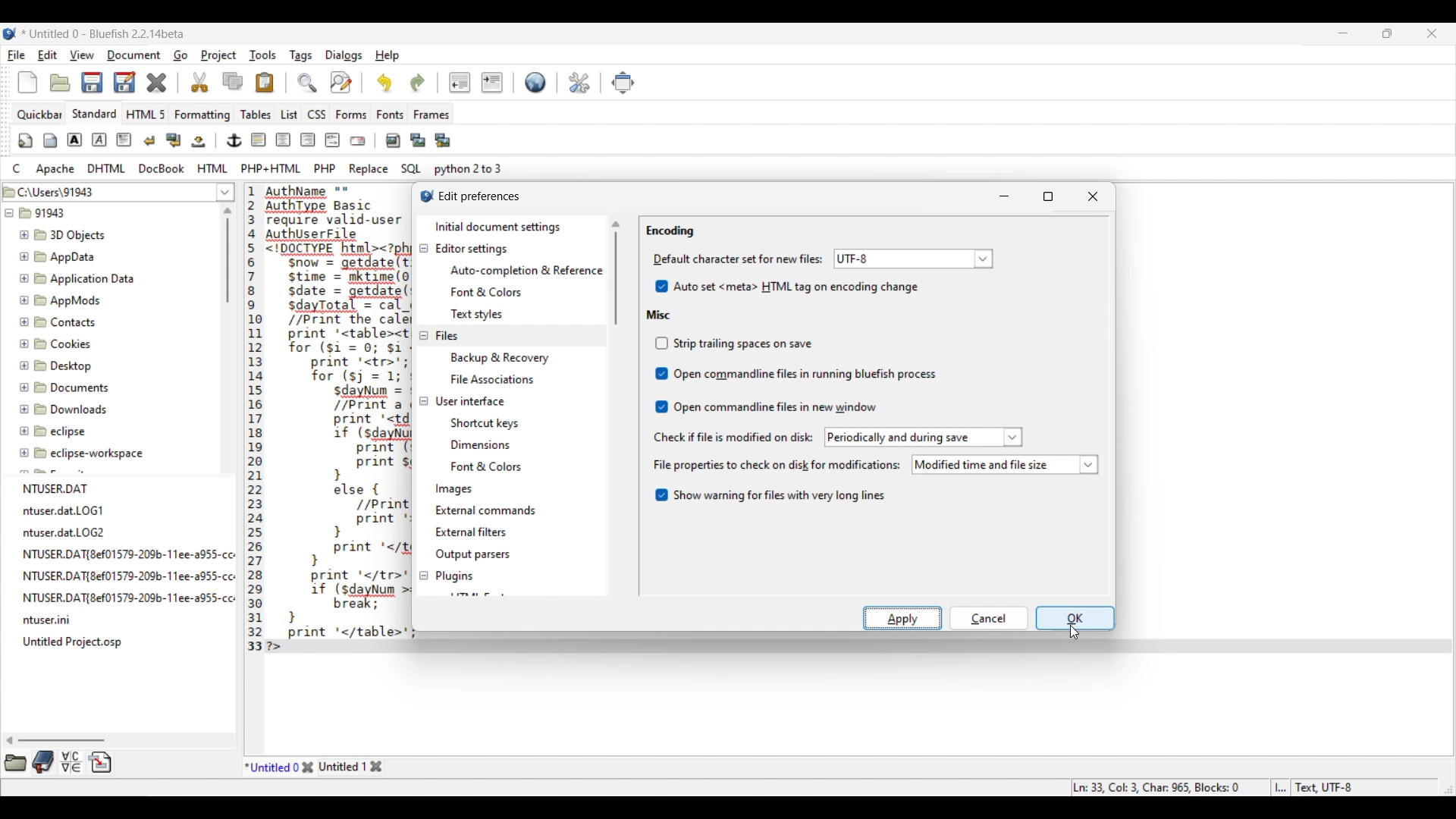 The height and width of the screenshot is (819, 1456). What do you see at coordinates (1095, 196) in the screenshot?
I see `Close` at bounding box center [1095, 196].